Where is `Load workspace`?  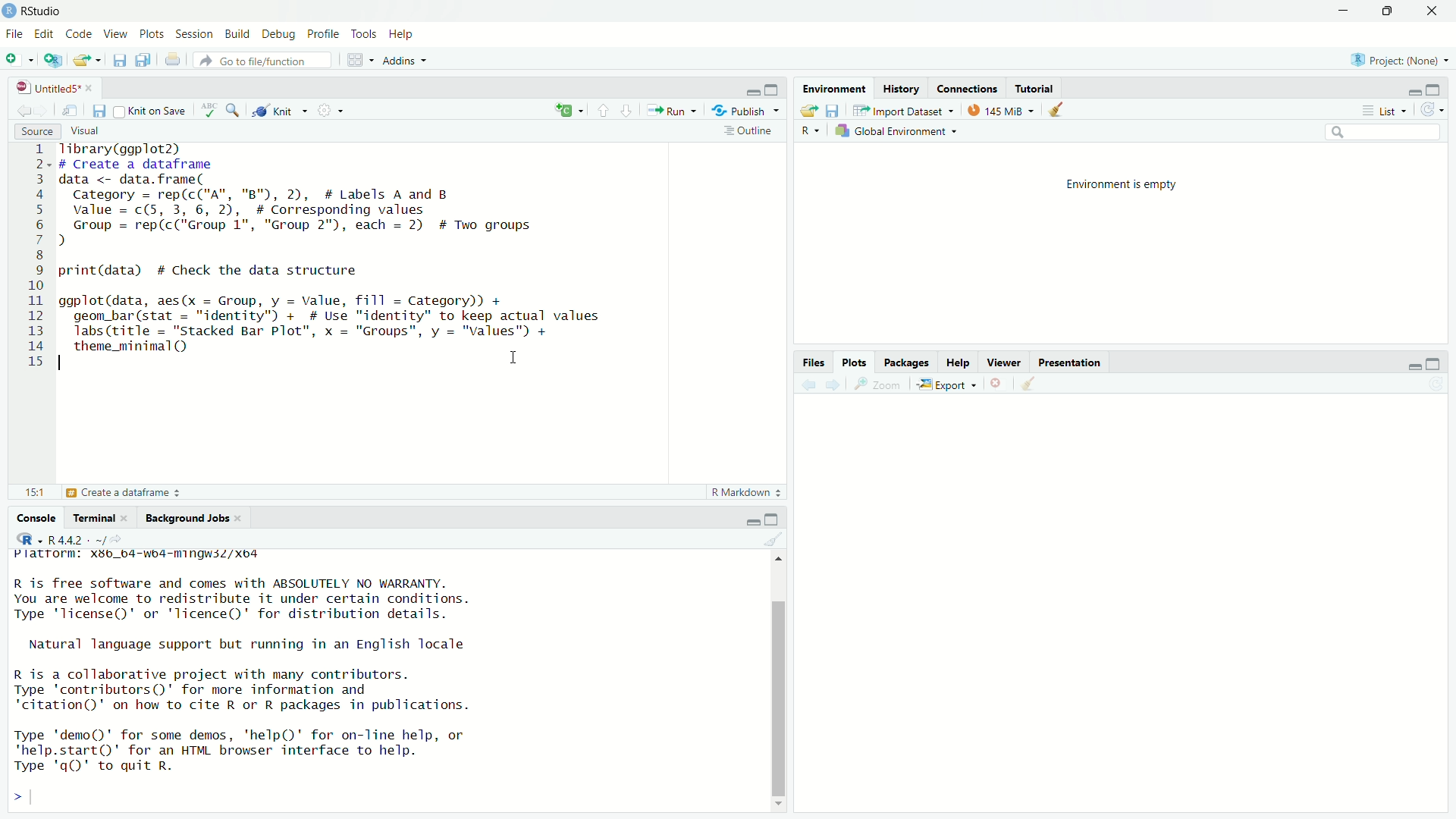
Load workspace is located at coordinates (808, 108).